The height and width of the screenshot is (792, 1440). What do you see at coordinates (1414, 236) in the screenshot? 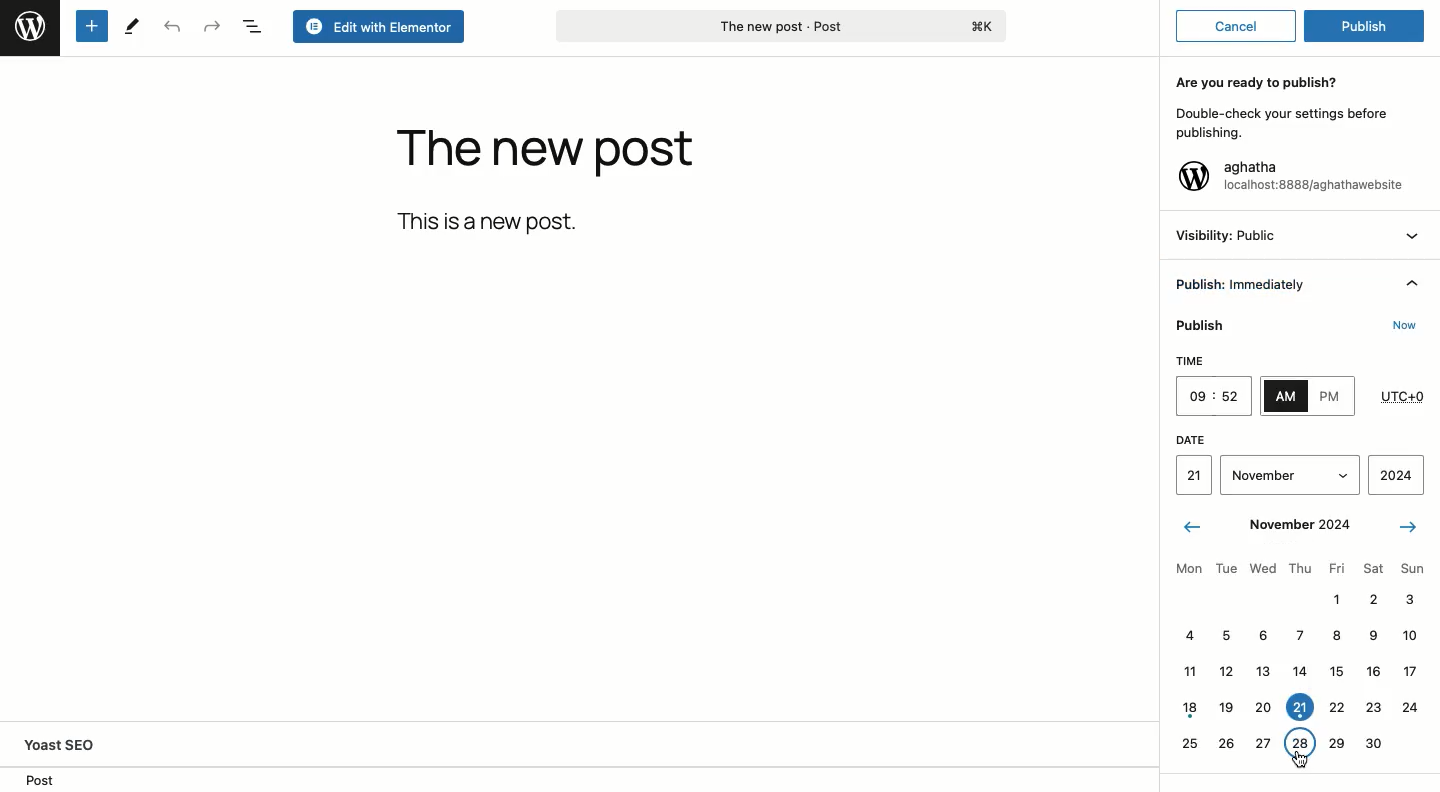
I see `Expand` at bounding box center [1414, 236].